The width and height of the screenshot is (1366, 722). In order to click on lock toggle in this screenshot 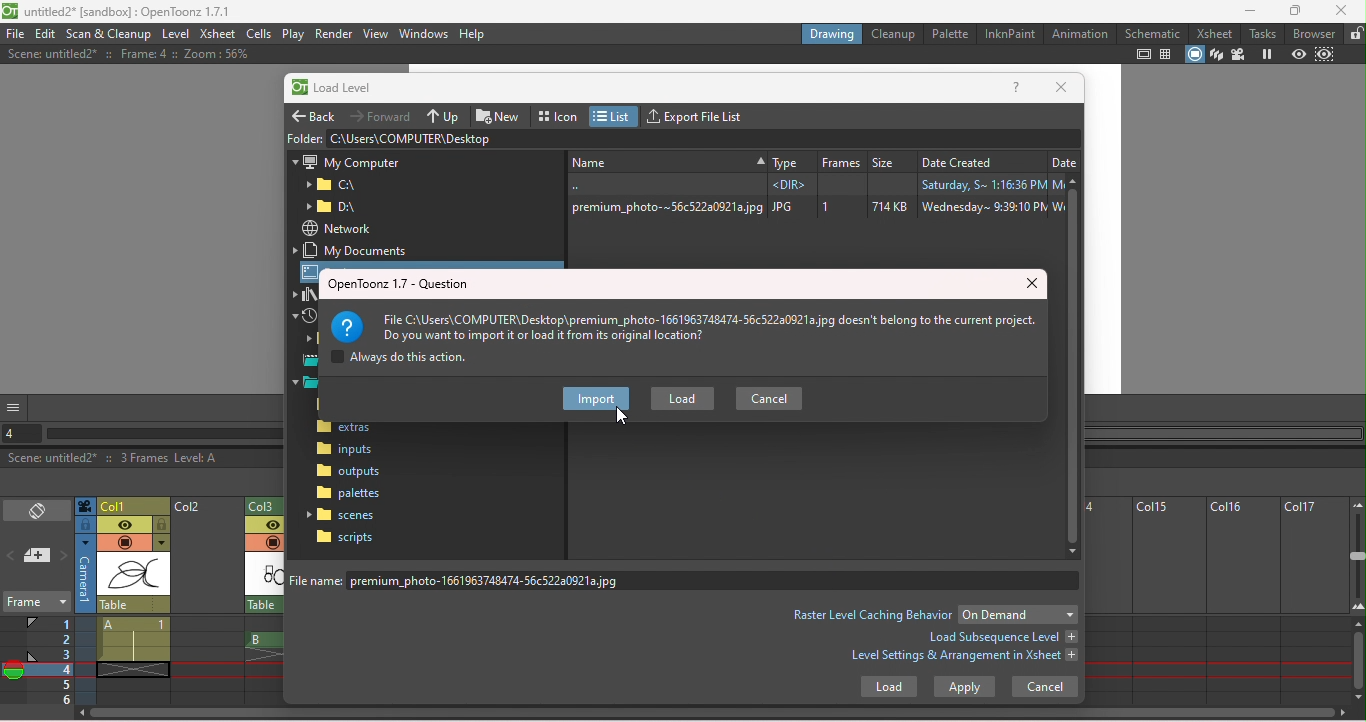, I will do `click(162, 525)`.